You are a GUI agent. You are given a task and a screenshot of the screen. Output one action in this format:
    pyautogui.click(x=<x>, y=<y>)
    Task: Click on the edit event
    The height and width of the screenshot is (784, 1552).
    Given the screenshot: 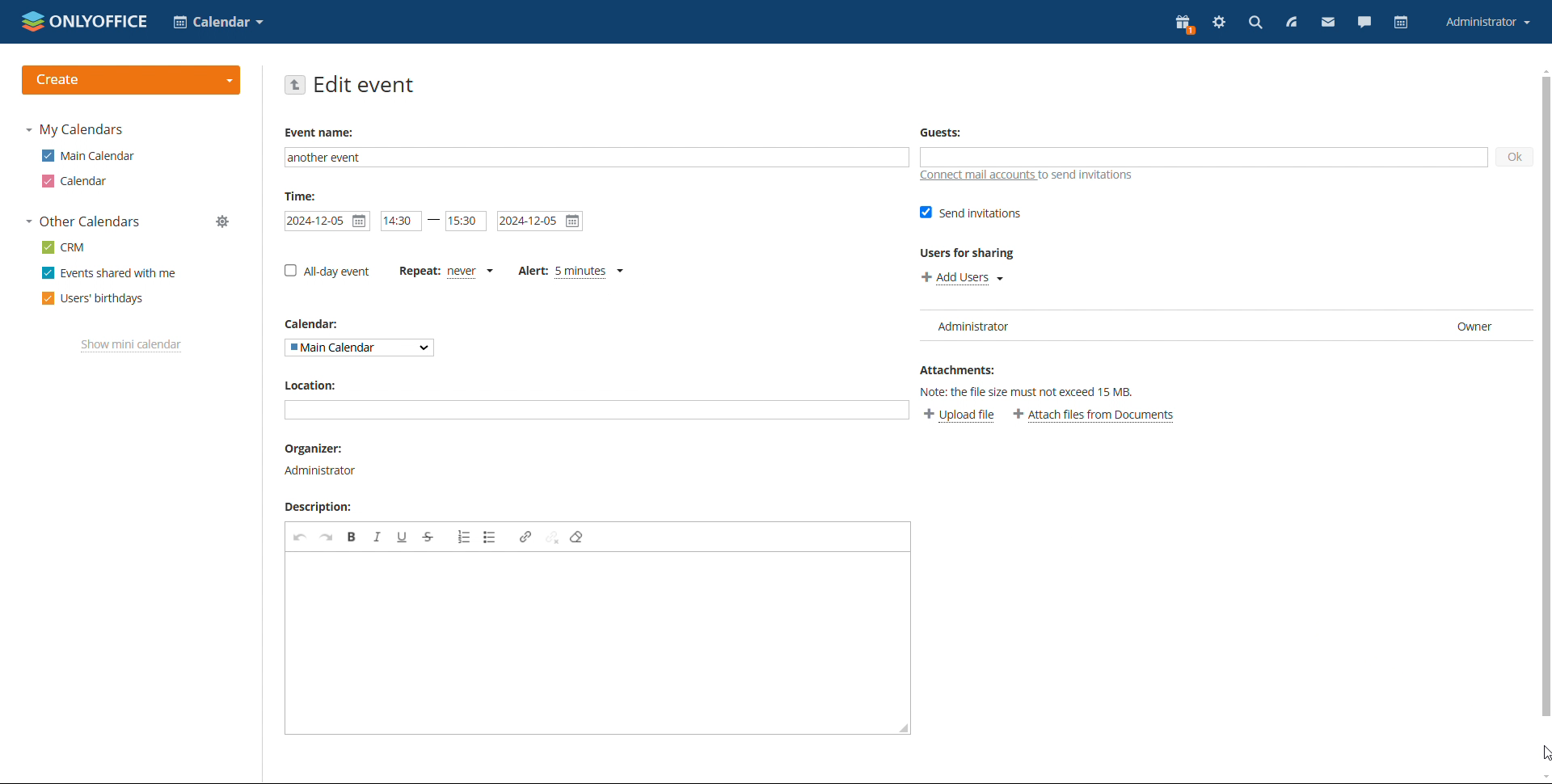 What is the action you would take?
    pyautogui.click(x=365, y=84)
    